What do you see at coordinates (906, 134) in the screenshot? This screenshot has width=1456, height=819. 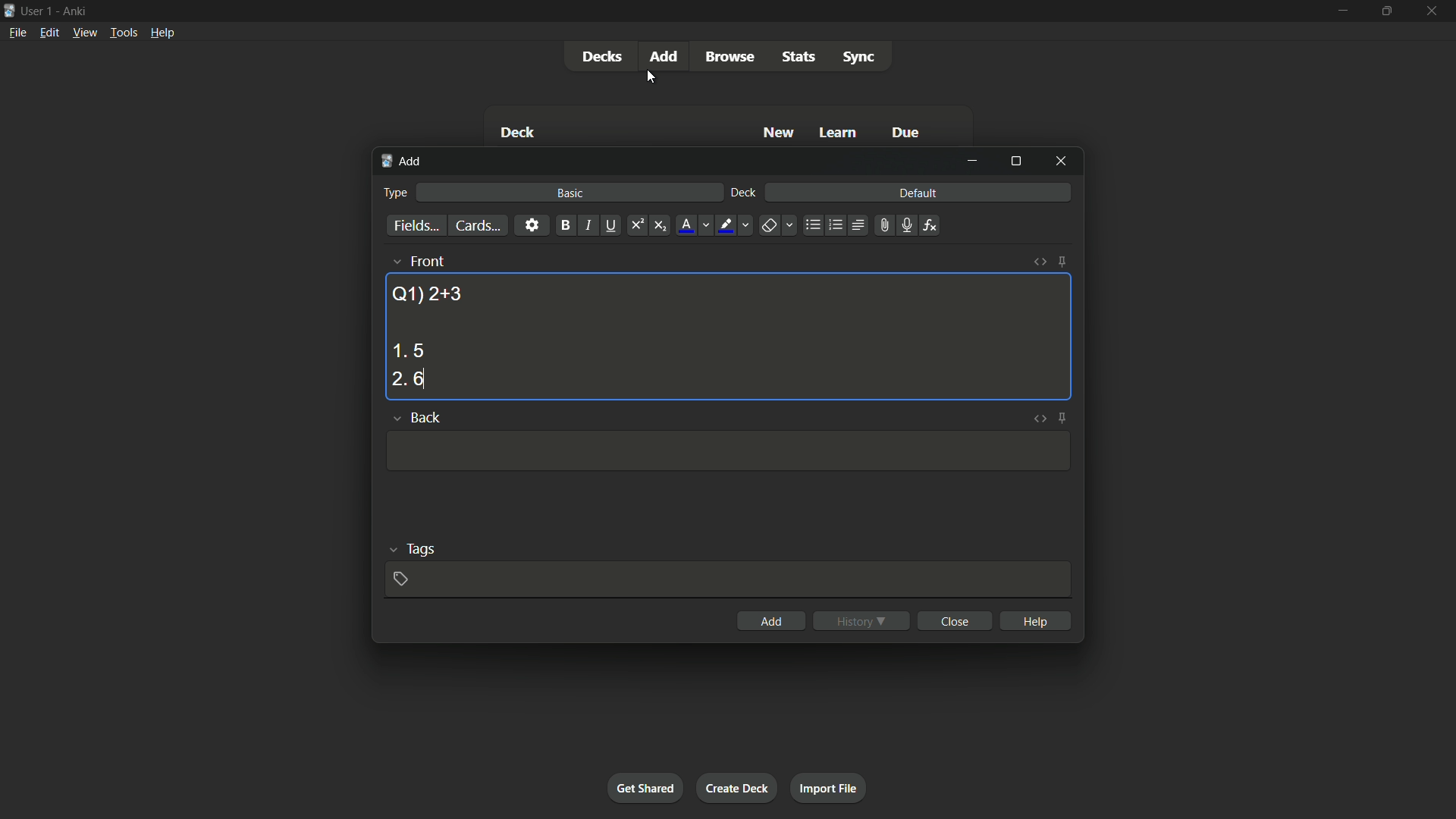 I see `due` at bounding box center [906, 134].